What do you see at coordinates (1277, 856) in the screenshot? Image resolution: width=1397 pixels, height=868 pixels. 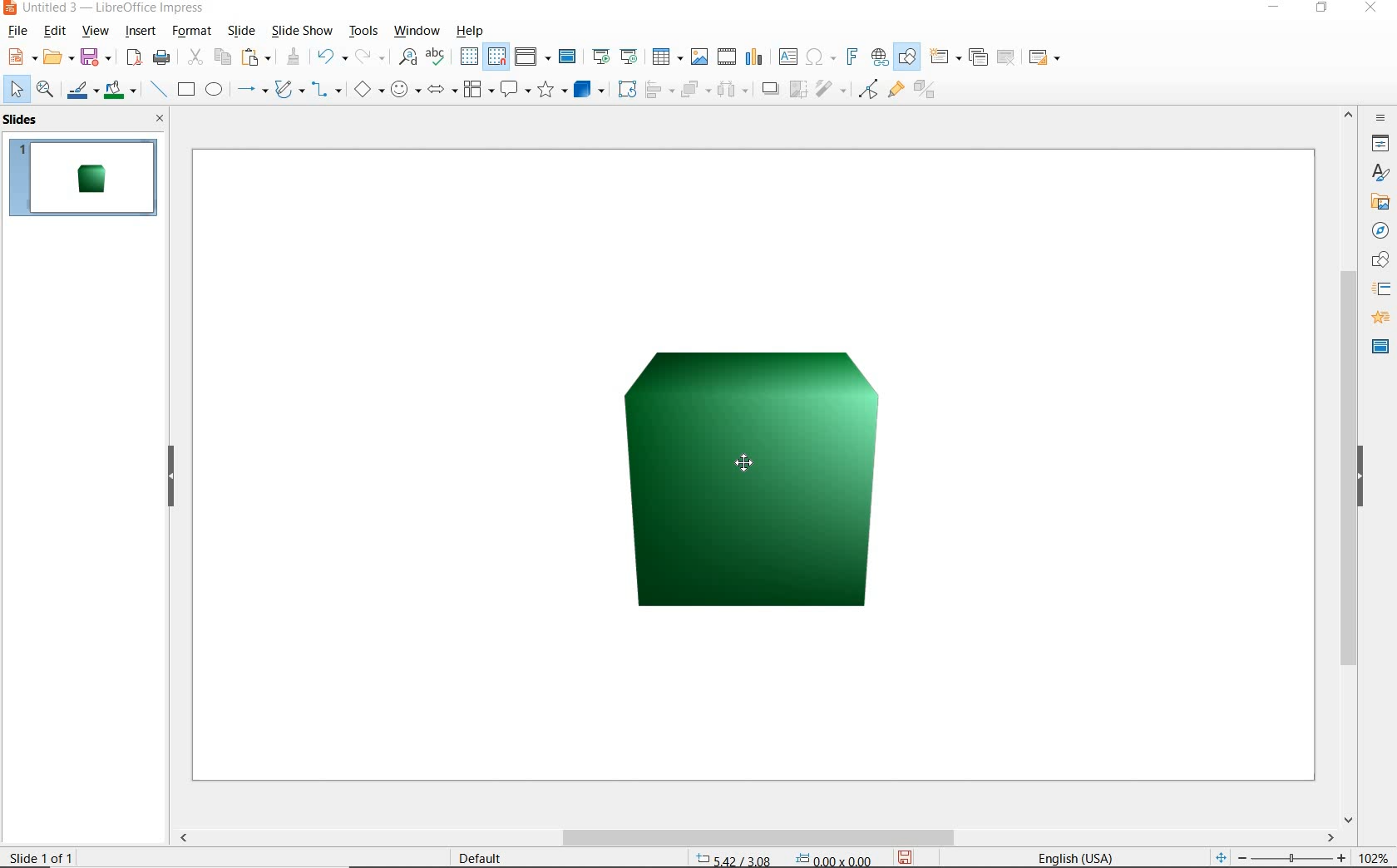 I see `ZOOM OUT OR ZOOM IN` at bounding box center [1277, 856].